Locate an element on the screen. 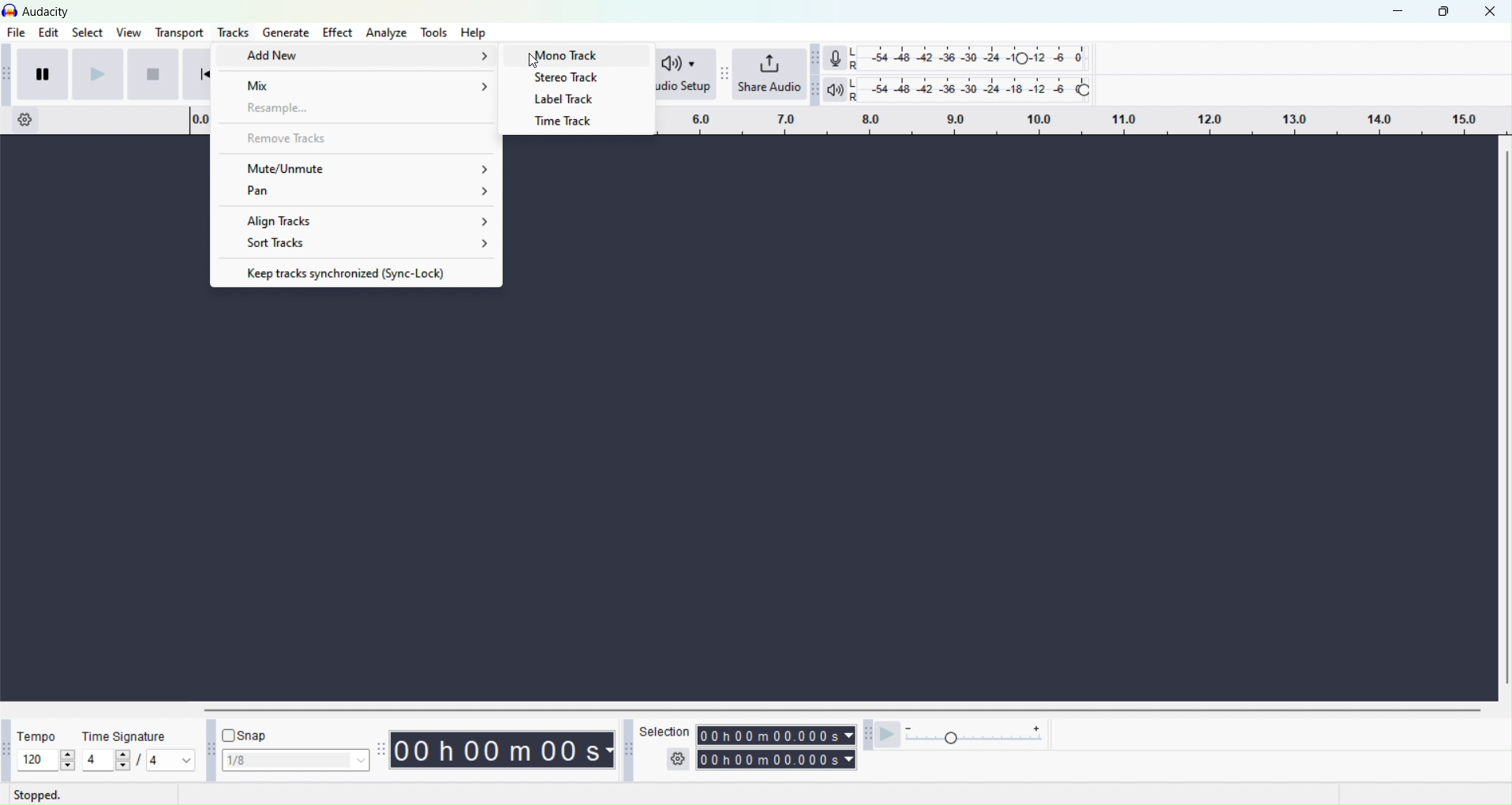 Image resolution: width=1512 pixels, height=805 pixels. notes per beat is located at coordinates (171, 759).